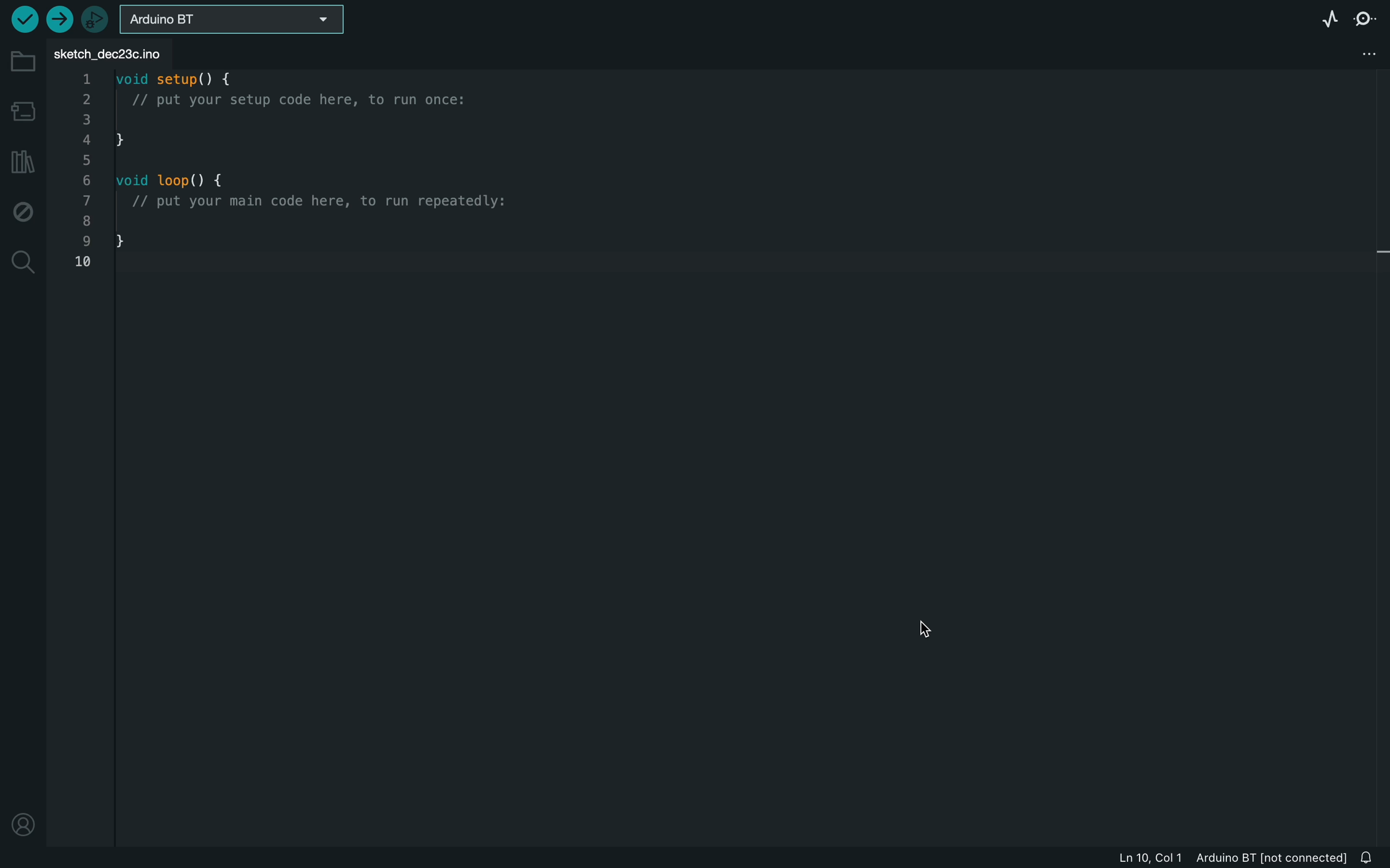 The image size is (1390, 868). What do you see at coordinates (1368, 17) in the screenshot?
I see `serial monitor` at bounding box center [1368, 17].